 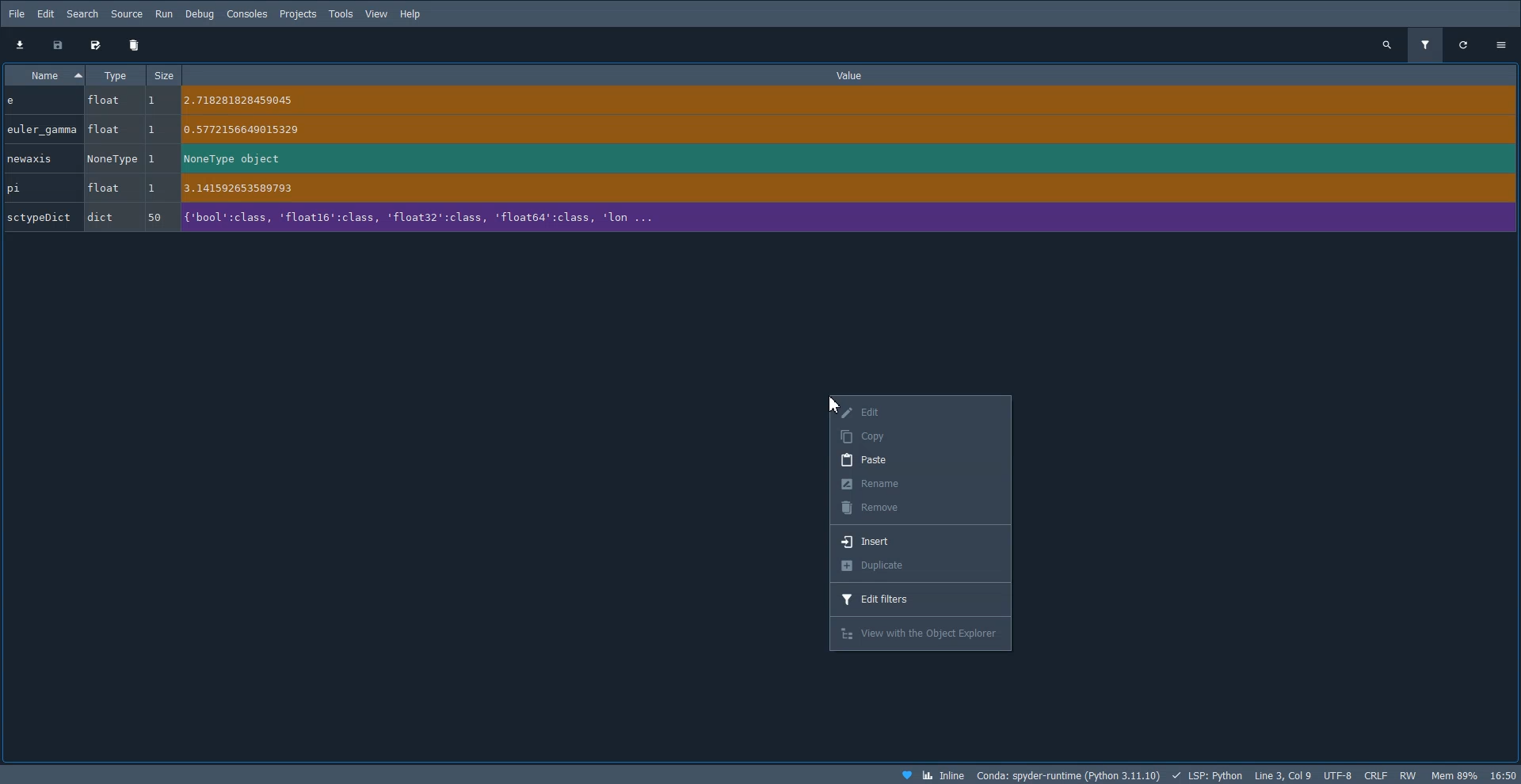 I want to click on ~ 2.718281828459045, so click(x=245, y=99).